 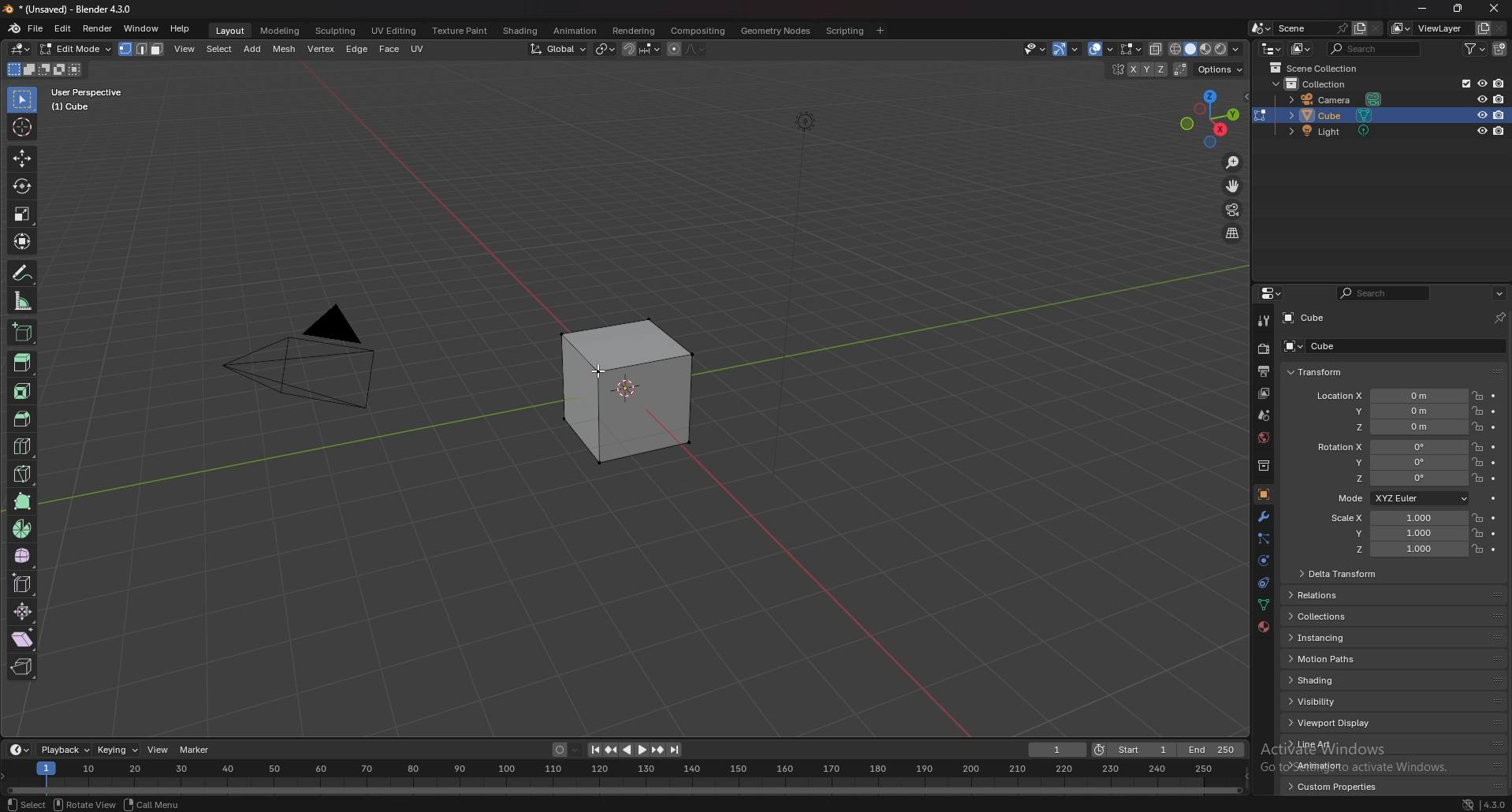 What do you see at coordinates (1393, 426) in the screenshot?
I see `location z` at bounding box center [1393, 426].